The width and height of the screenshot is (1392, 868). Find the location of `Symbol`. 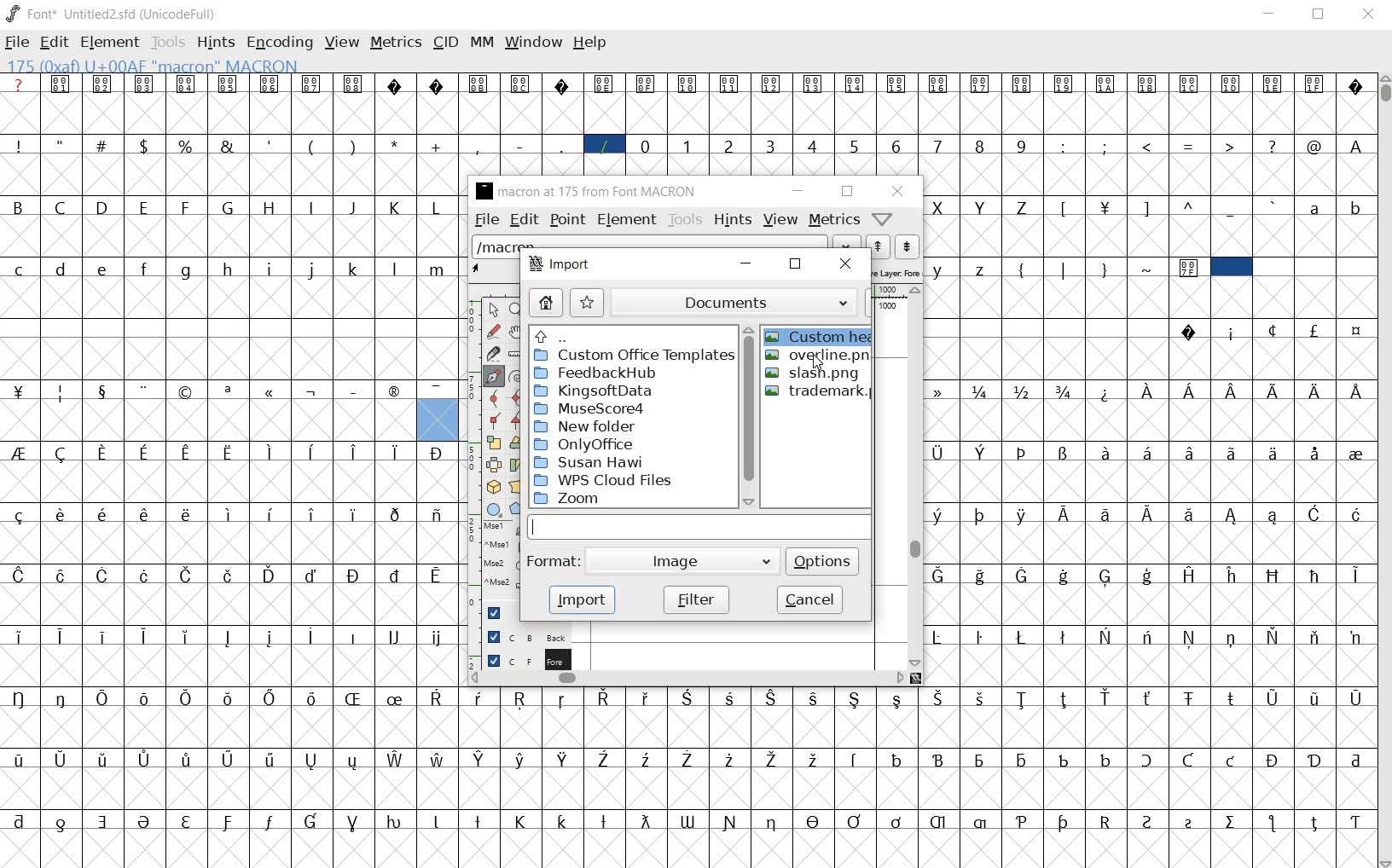

Symbol is located at coordinates (441, 697).